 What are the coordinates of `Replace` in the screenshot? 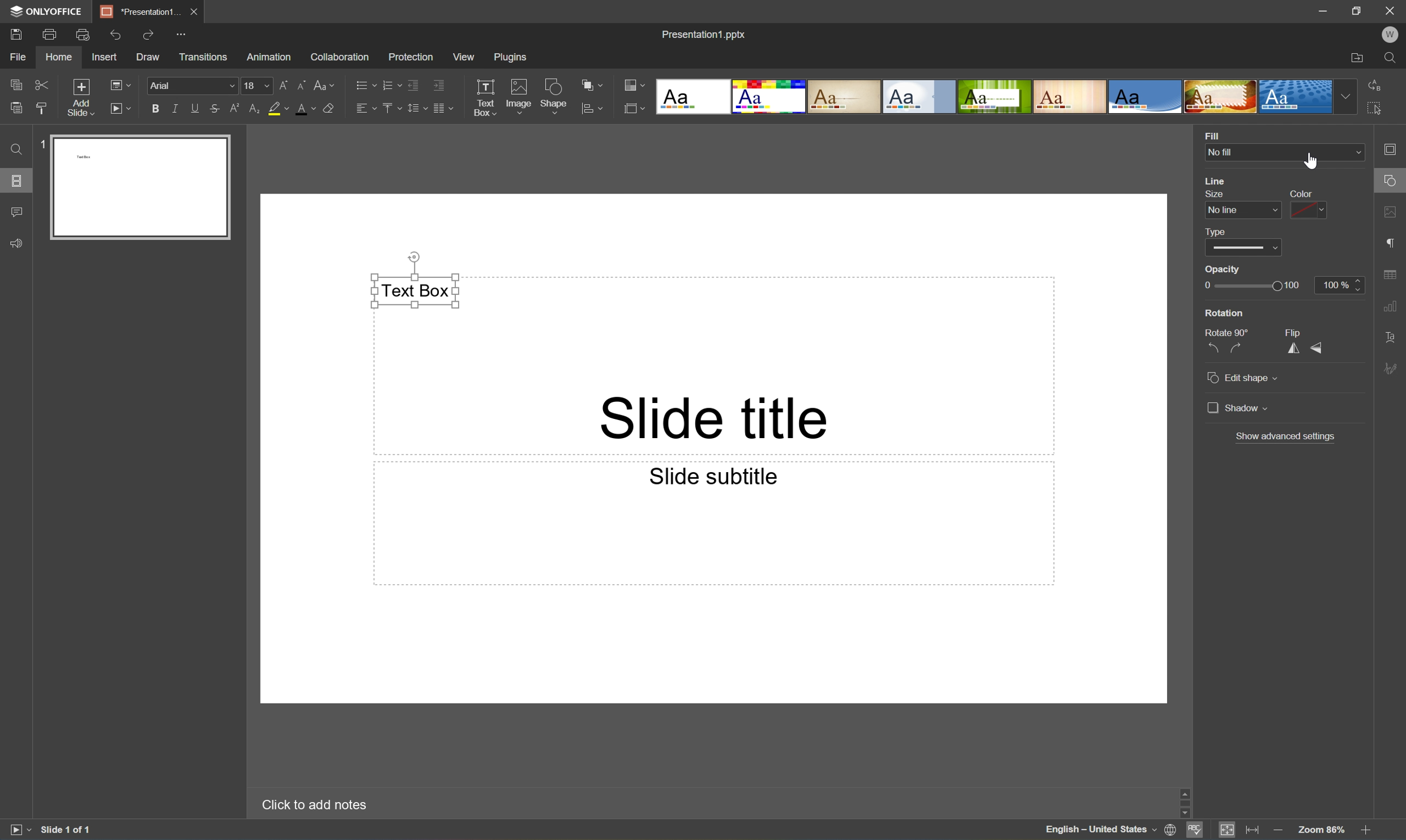 It's located at (1375, 84).